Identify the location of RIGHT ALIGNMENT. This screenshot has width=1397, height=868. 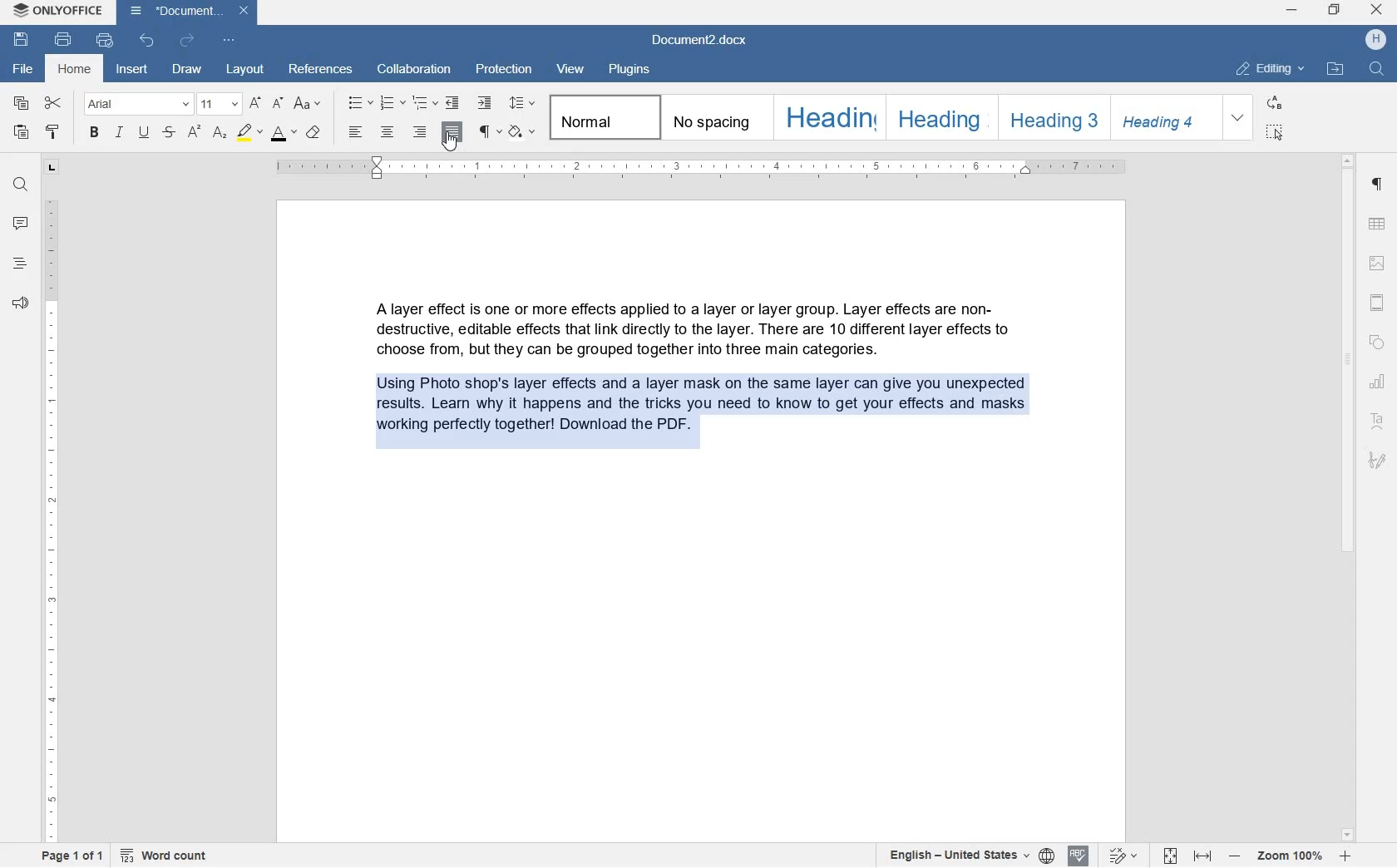
(420, 132).